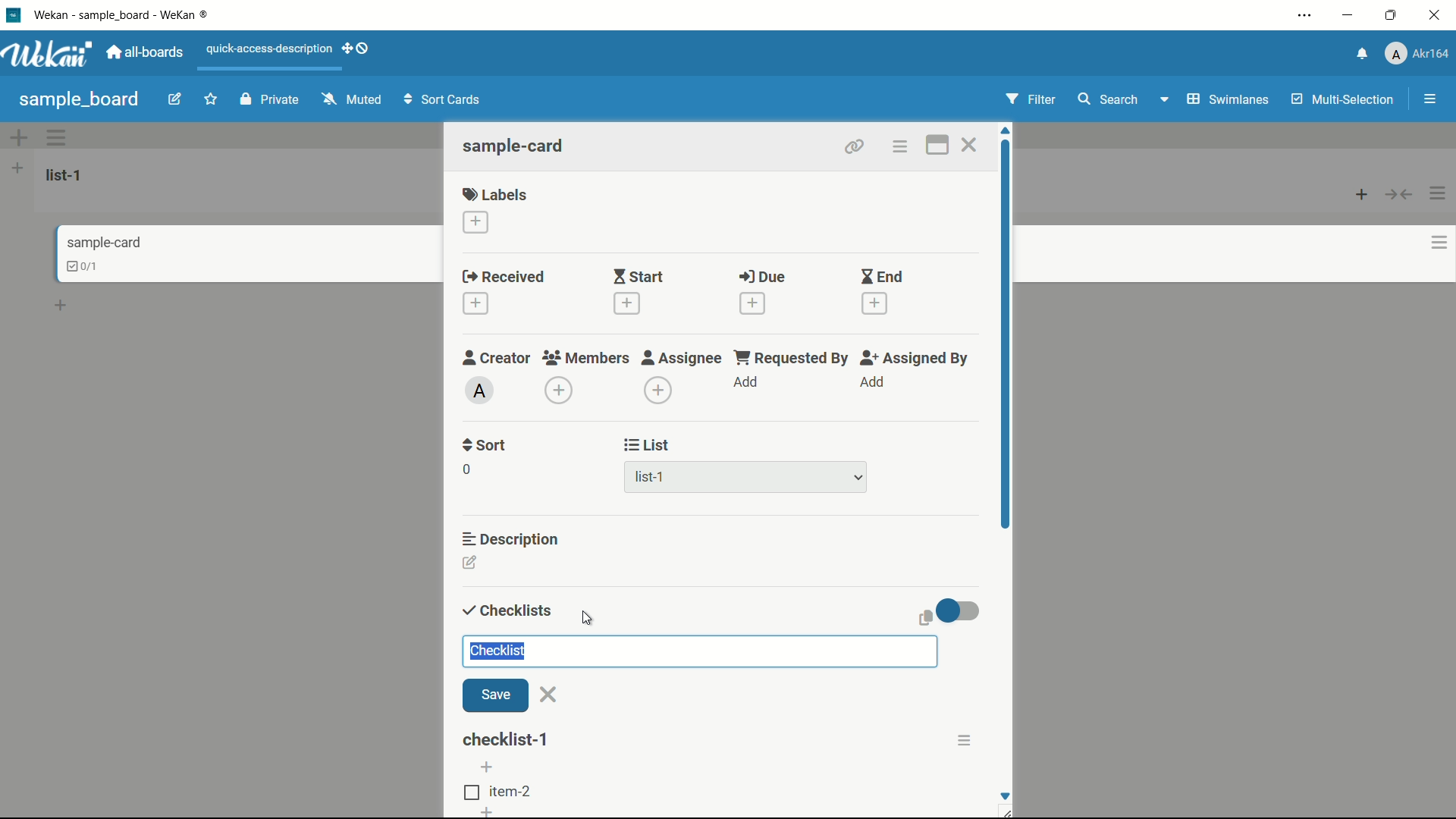 The width and height of the screenshot is (1456, 819). I want to click on creator, so click(497, 357).